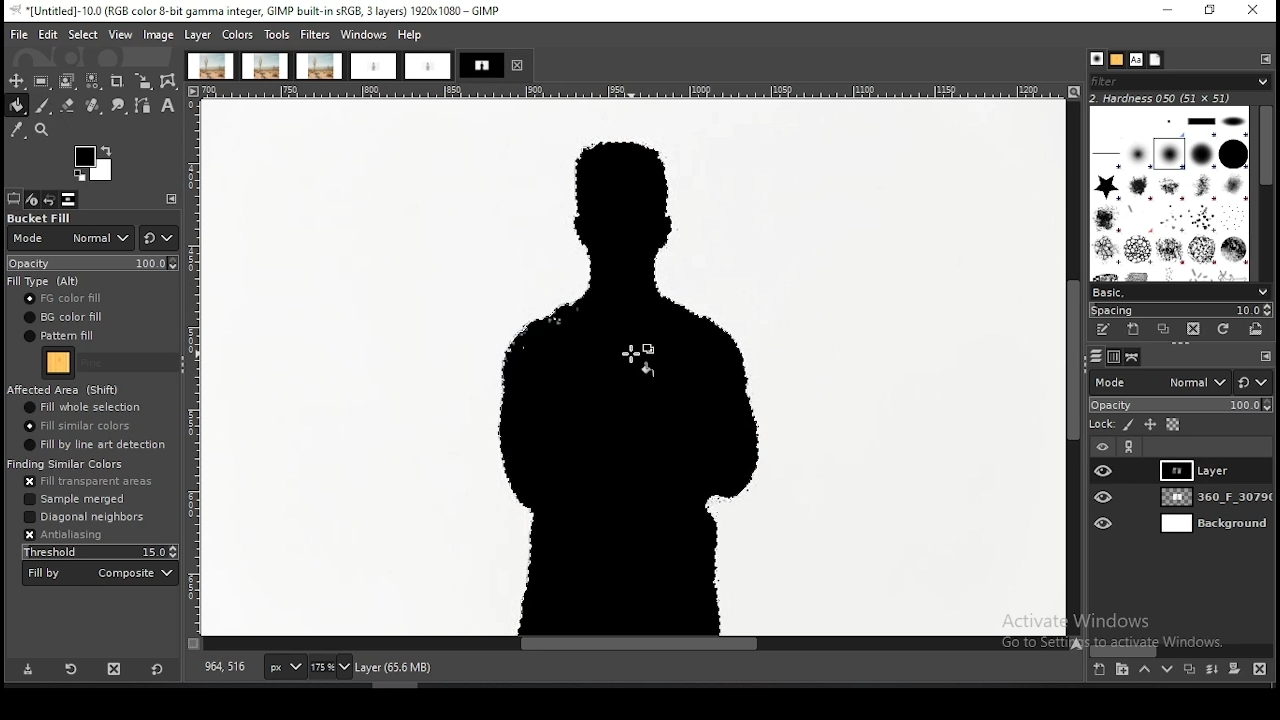 The height and width of the screenshot is (720, 1280). I want to click on bucket fill mode, so click(71, 232).